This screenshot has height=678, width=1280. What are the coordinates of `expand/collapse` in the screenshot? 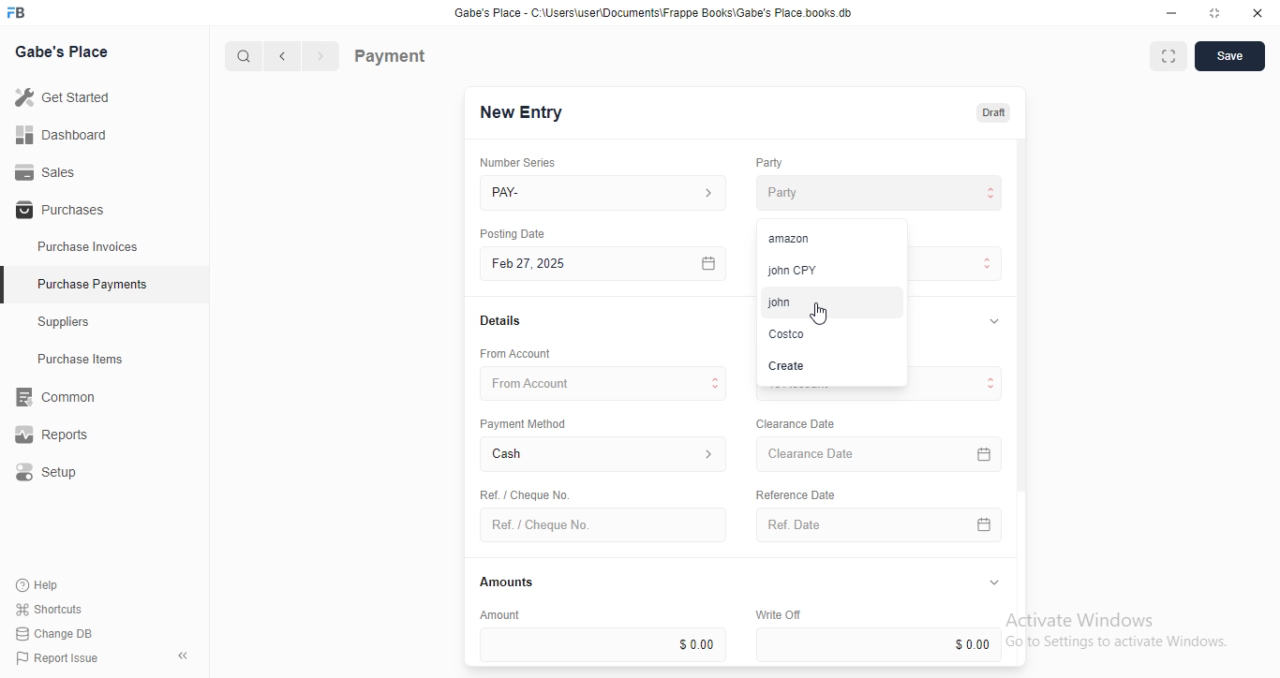 It's located at (990, 322).